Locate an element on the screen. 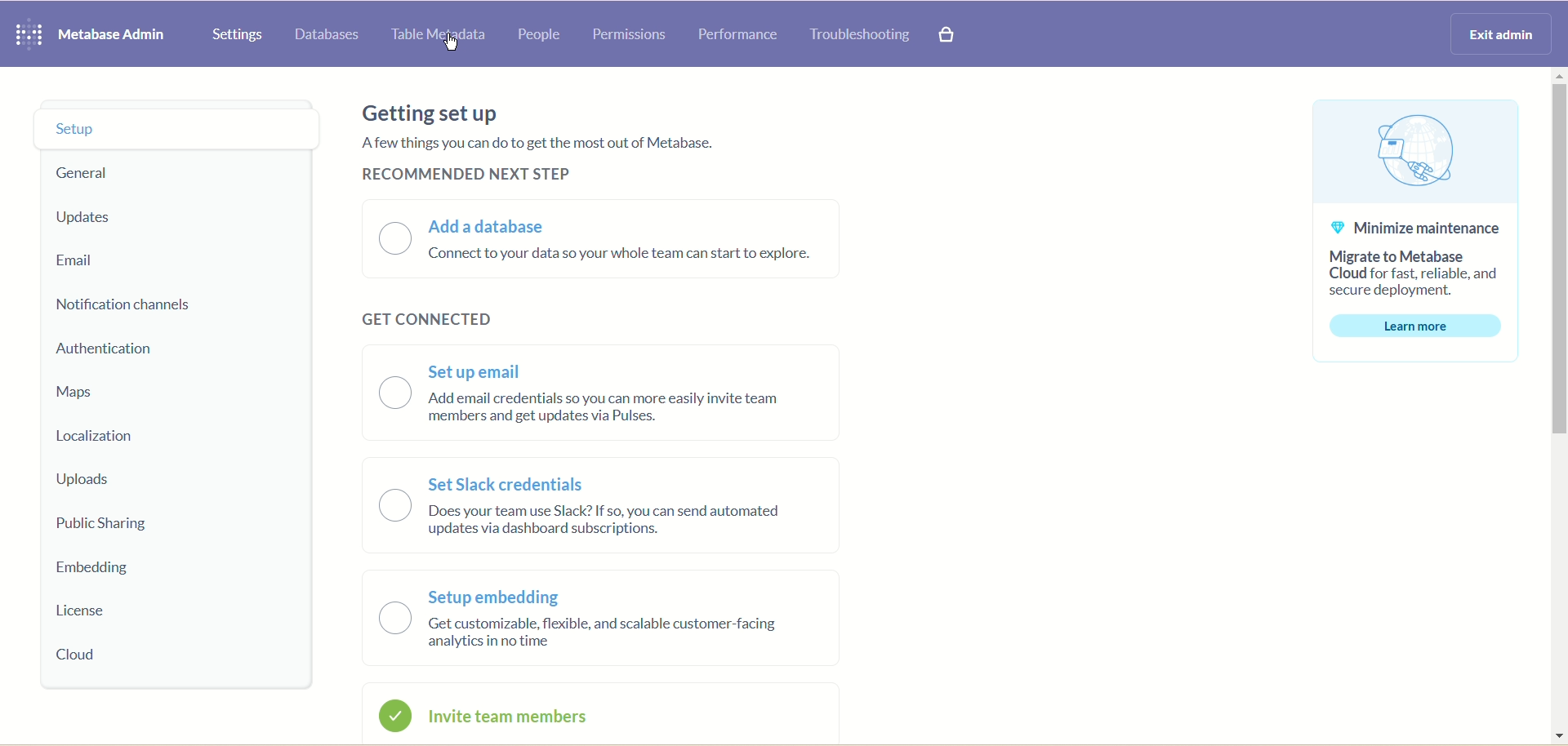 The width and height of the screenshot is (1568, 746). Exit admin is located at coordinates (1493, 35).